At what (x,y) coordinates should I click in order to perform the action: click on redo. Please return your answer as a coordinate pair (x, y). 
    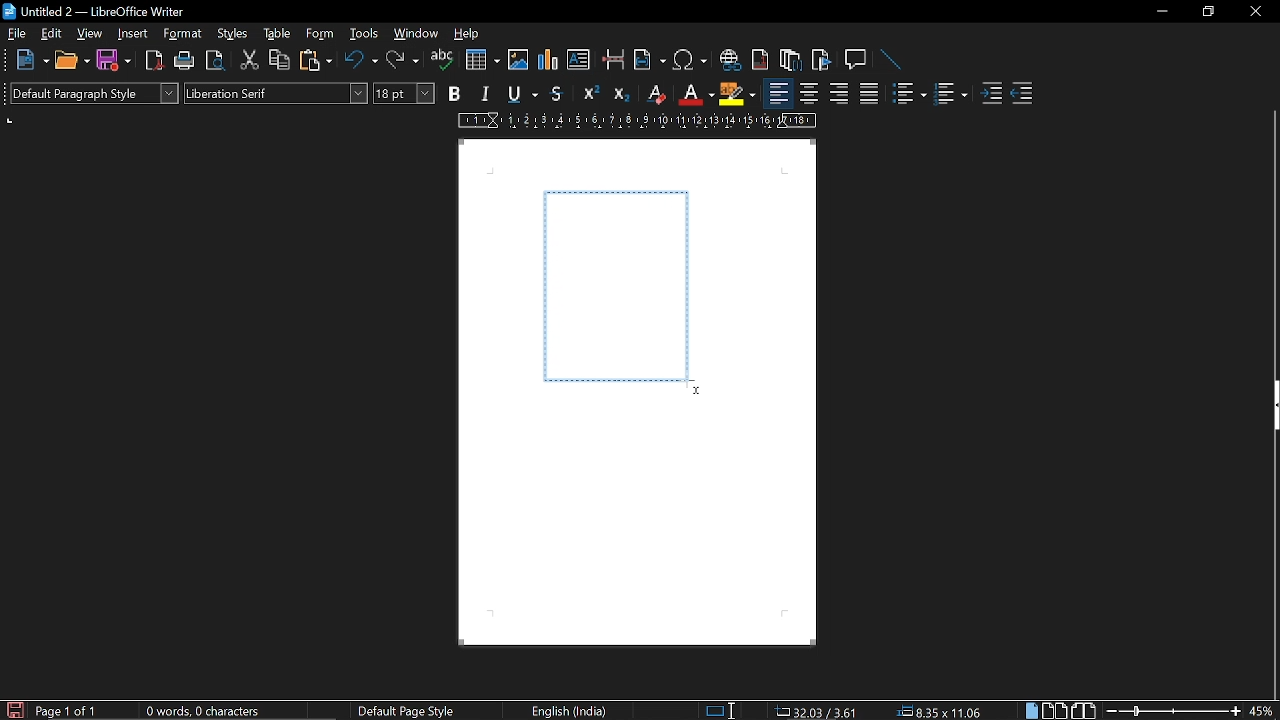
    Looking at the image, I should click on (402, 62).